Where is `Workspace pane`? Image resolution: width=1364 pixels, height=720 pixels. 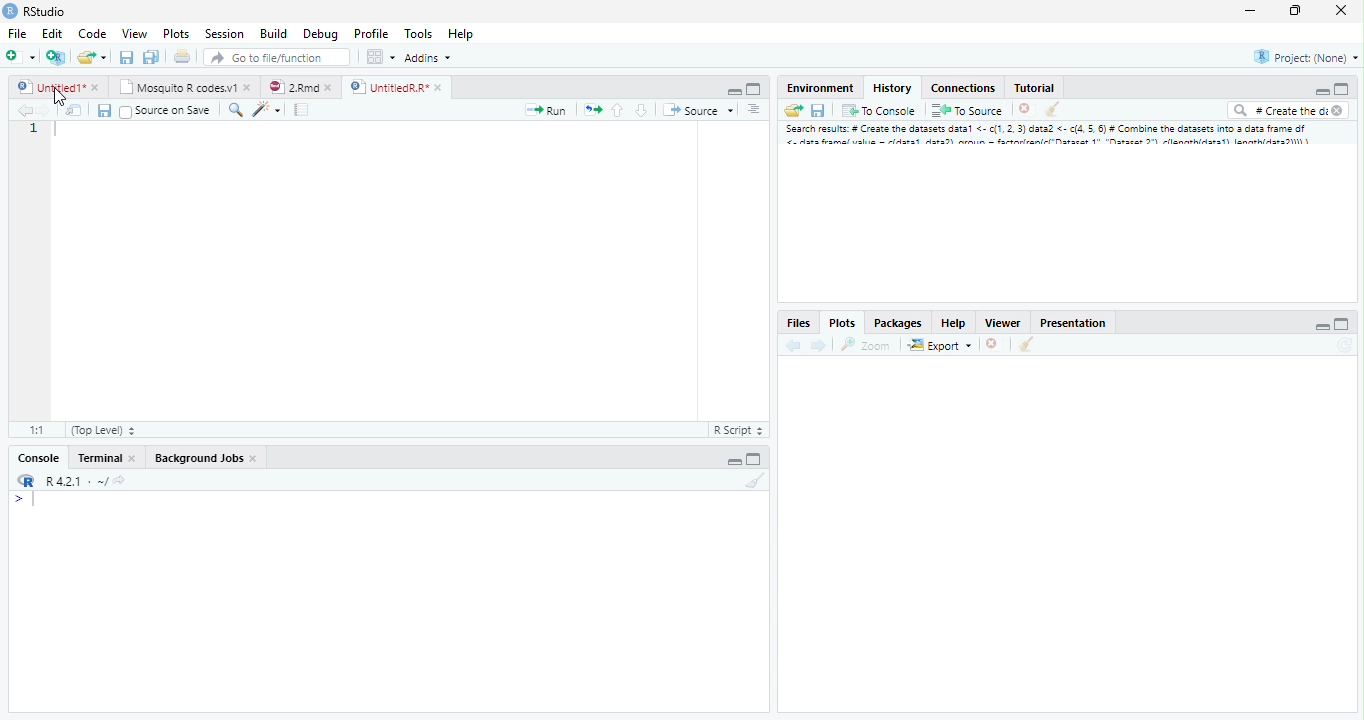 Workspace pane is located at coordinates (381, 58).